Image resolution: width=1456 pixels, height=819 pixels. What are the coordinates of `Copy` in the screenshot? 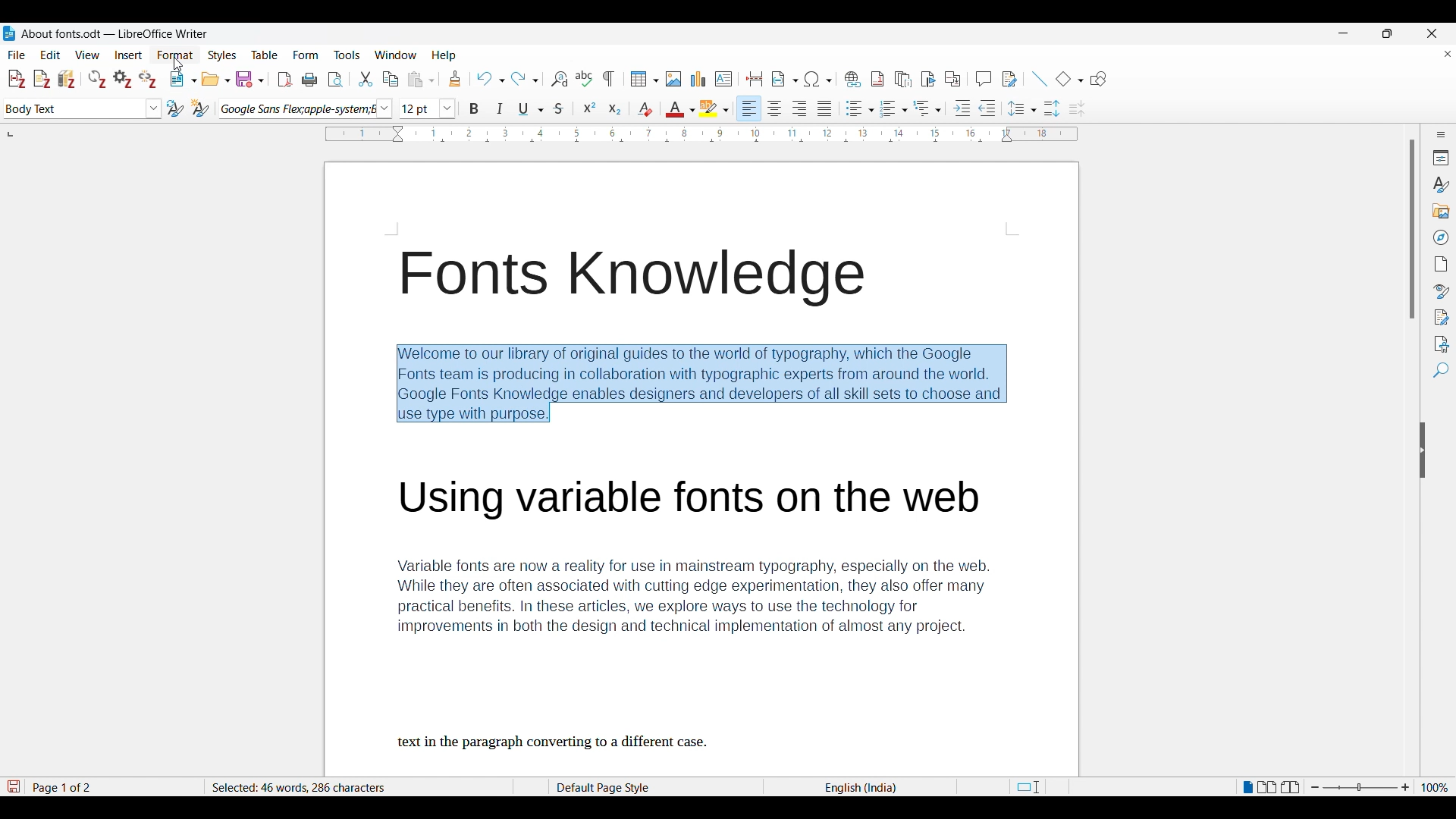 It's located at (390, 79).